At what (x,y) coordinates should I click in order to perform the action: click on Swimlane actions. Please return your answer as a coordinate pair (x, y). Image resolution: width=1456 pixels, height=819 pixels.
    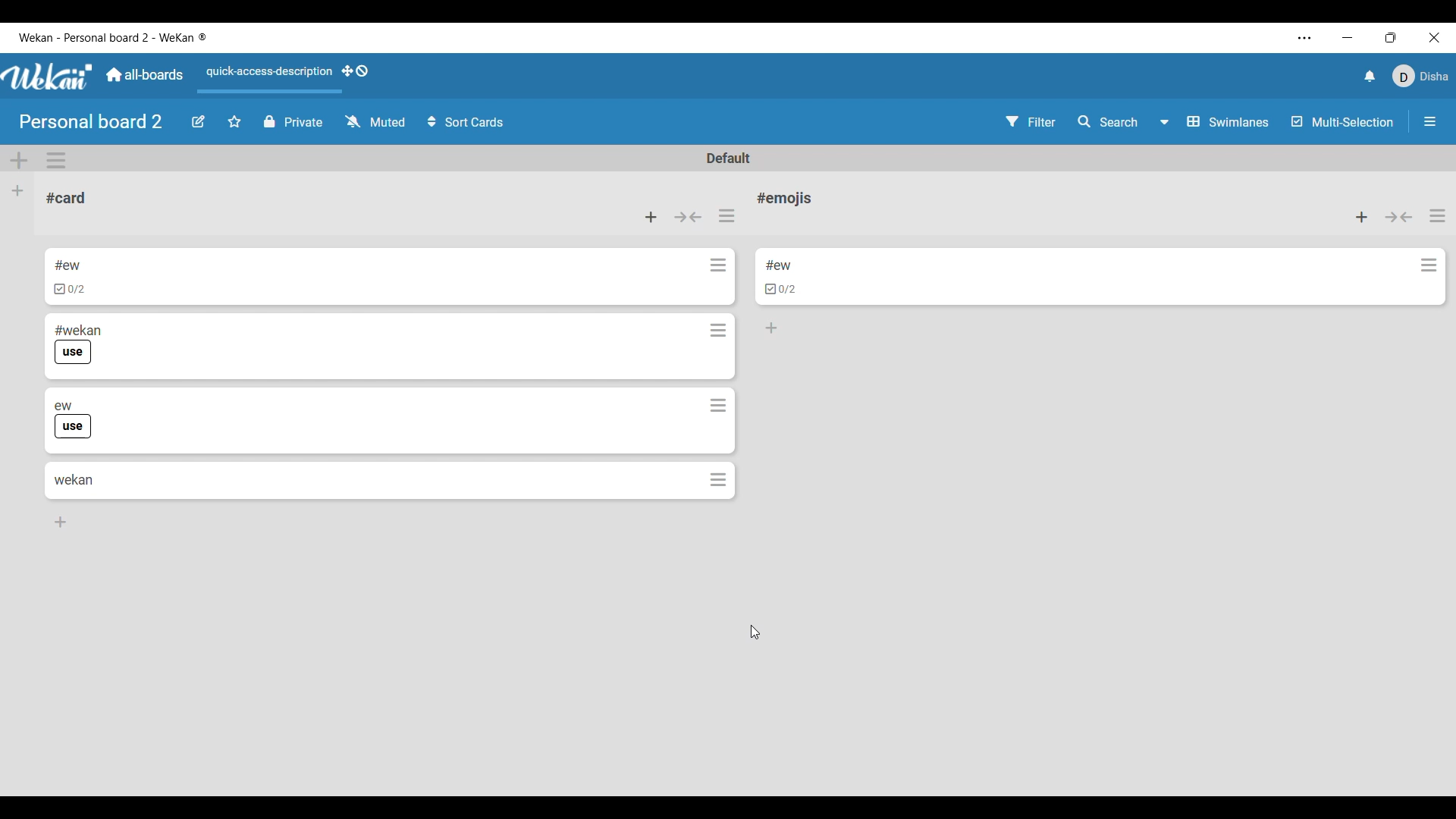
    Looking at the image, I should click on (56, 161).